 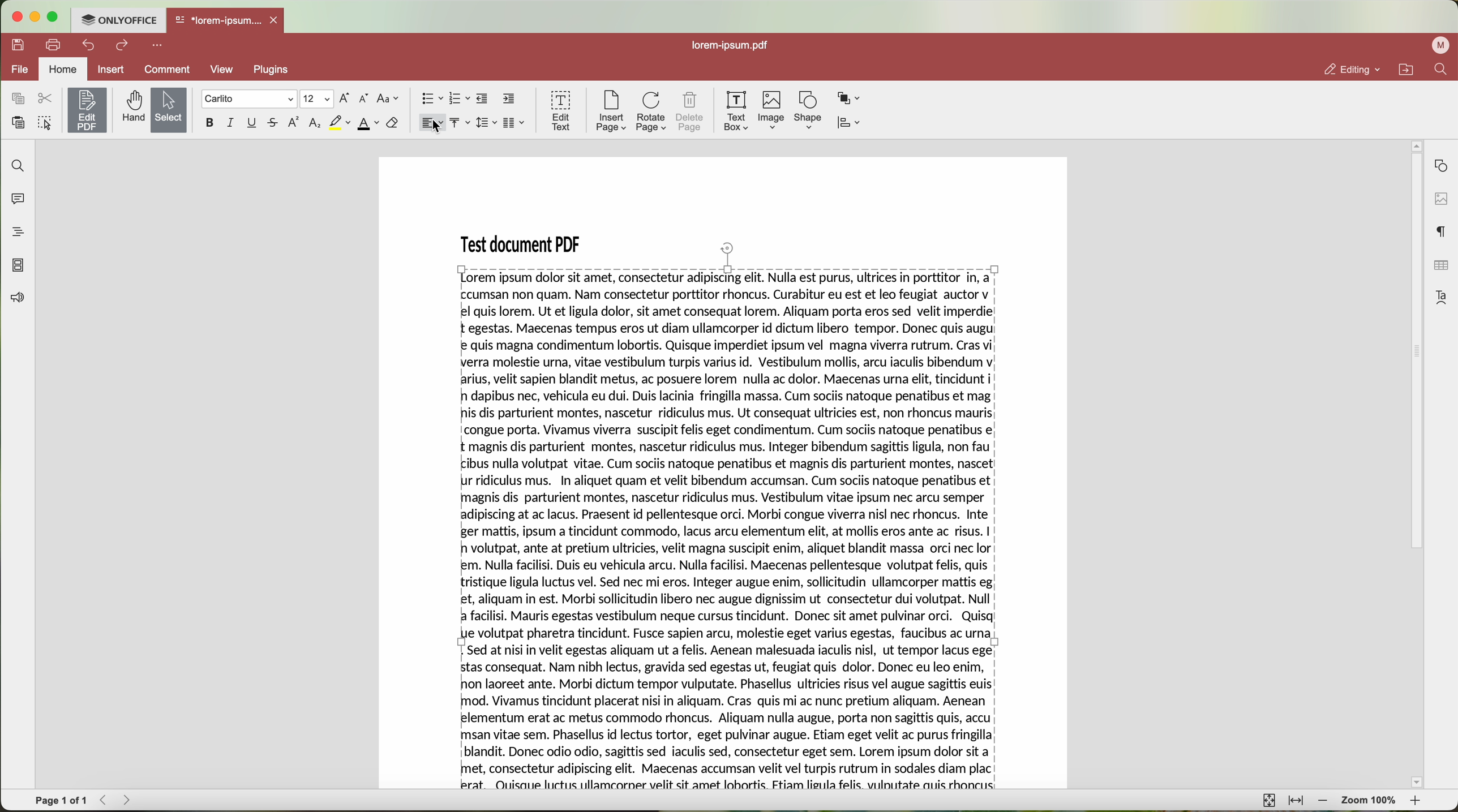 What do you see at coordinates (18, 198) in the screenshot?
I see `comments` at bounding box center [18, 198].